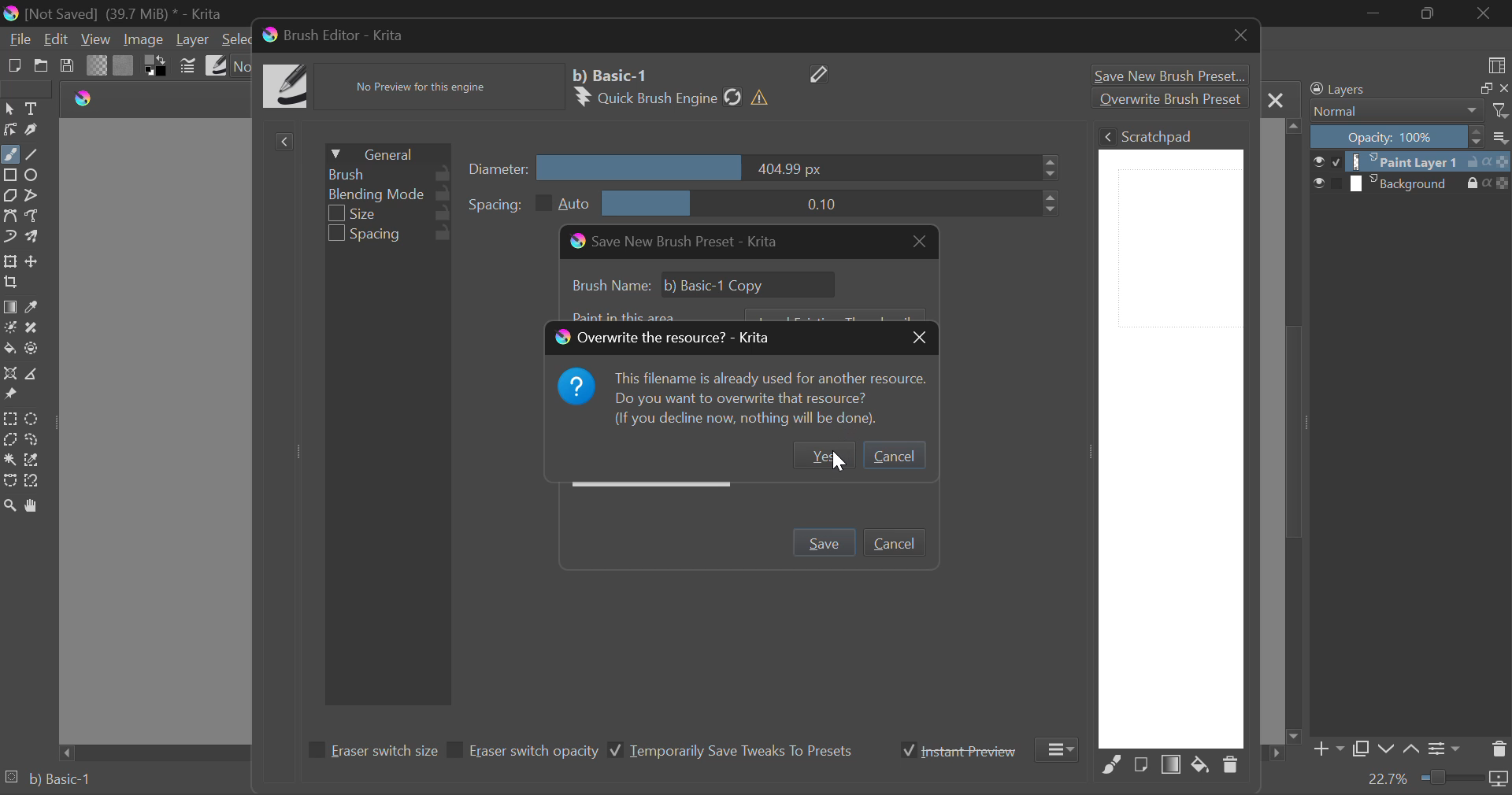  What do you see at coordinates (902, 460) in the screenshot?
I see `Cancel` at bounding box center [902, 460].